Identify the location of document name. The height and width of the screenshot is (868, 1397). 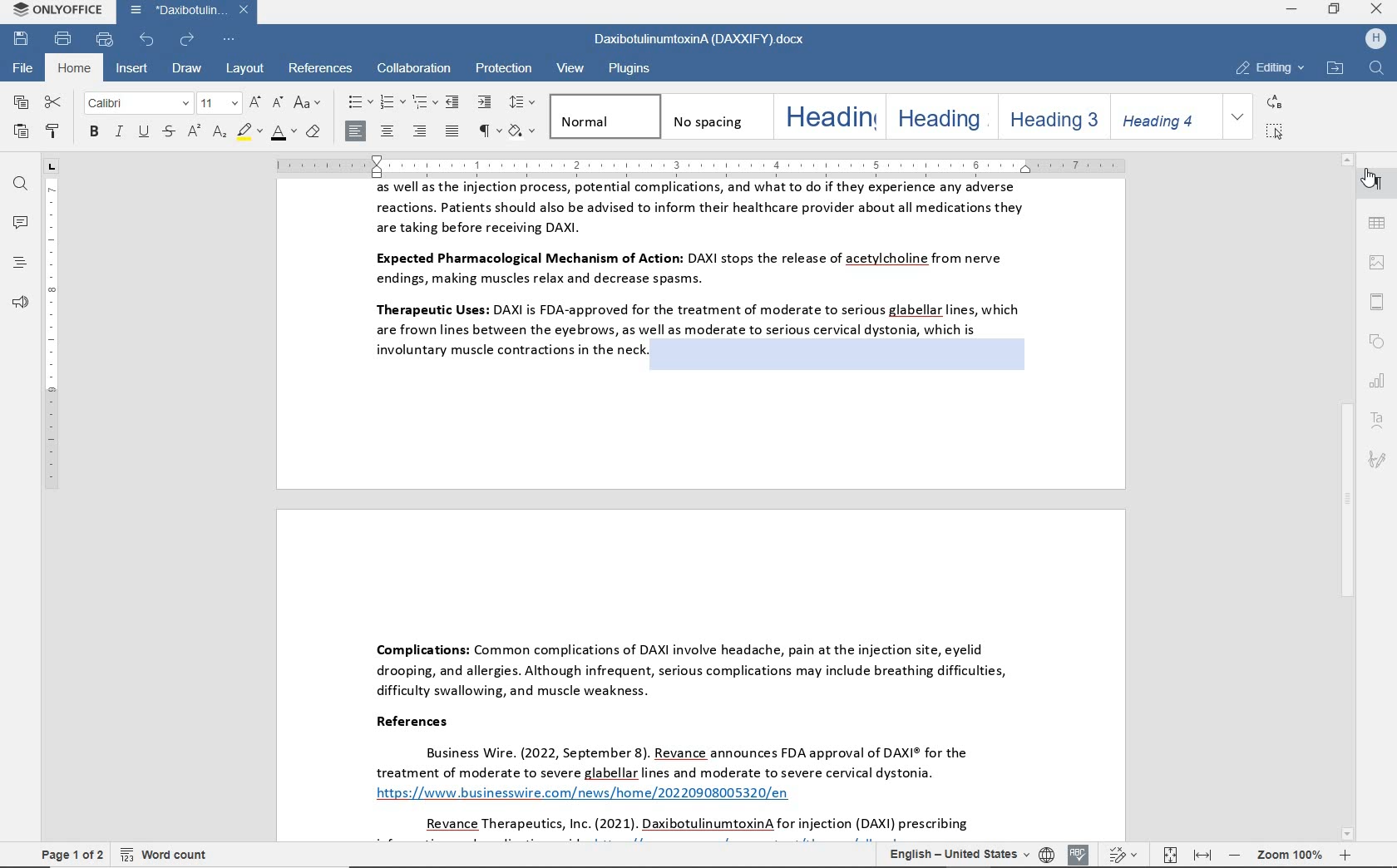
(191, 11).